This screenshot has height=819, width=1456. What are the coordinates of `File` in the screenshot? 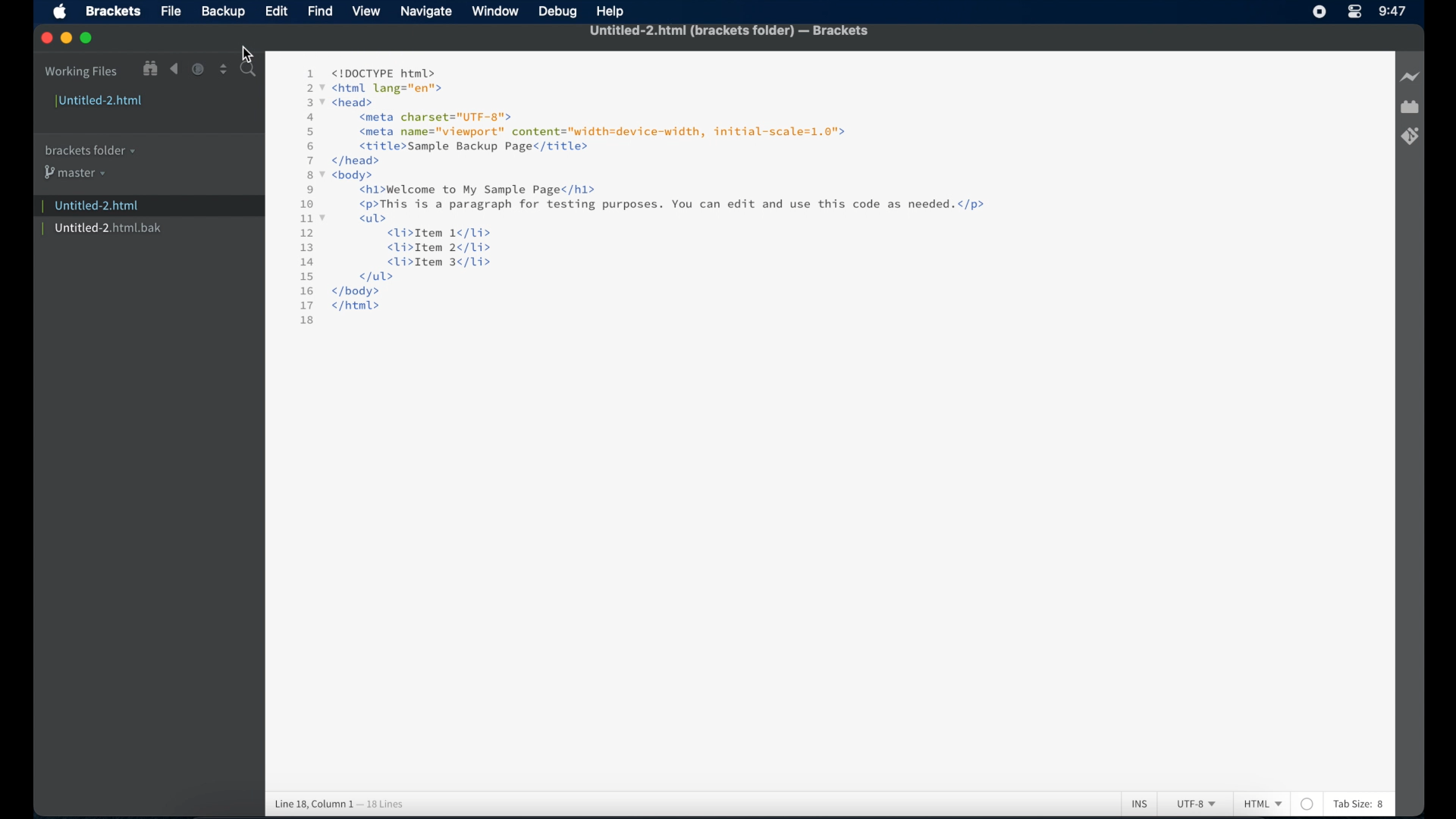 It's located at (168, 11).